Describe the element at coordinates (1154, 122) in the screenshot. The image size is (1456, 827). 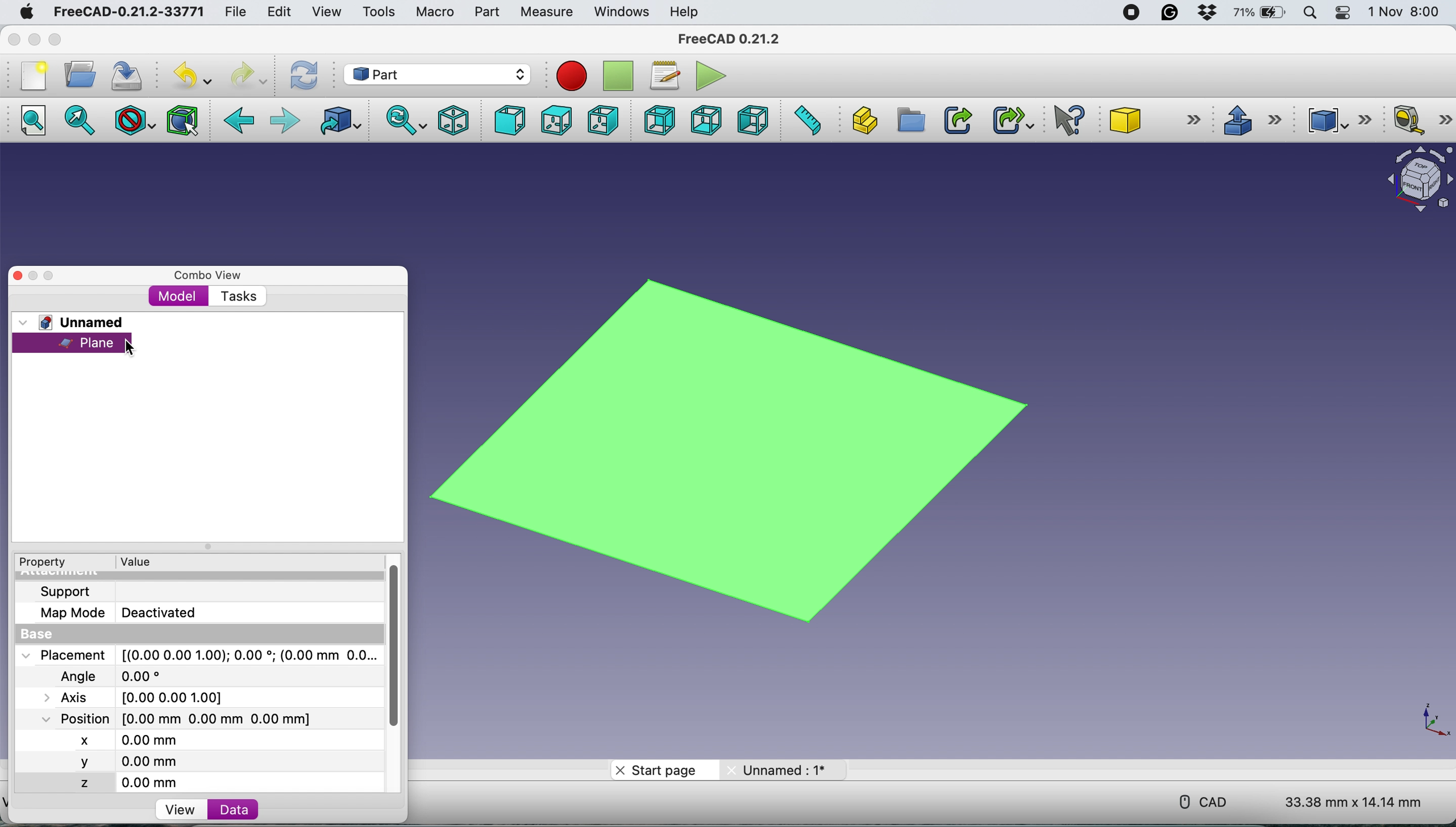
I see `cube` at that location.